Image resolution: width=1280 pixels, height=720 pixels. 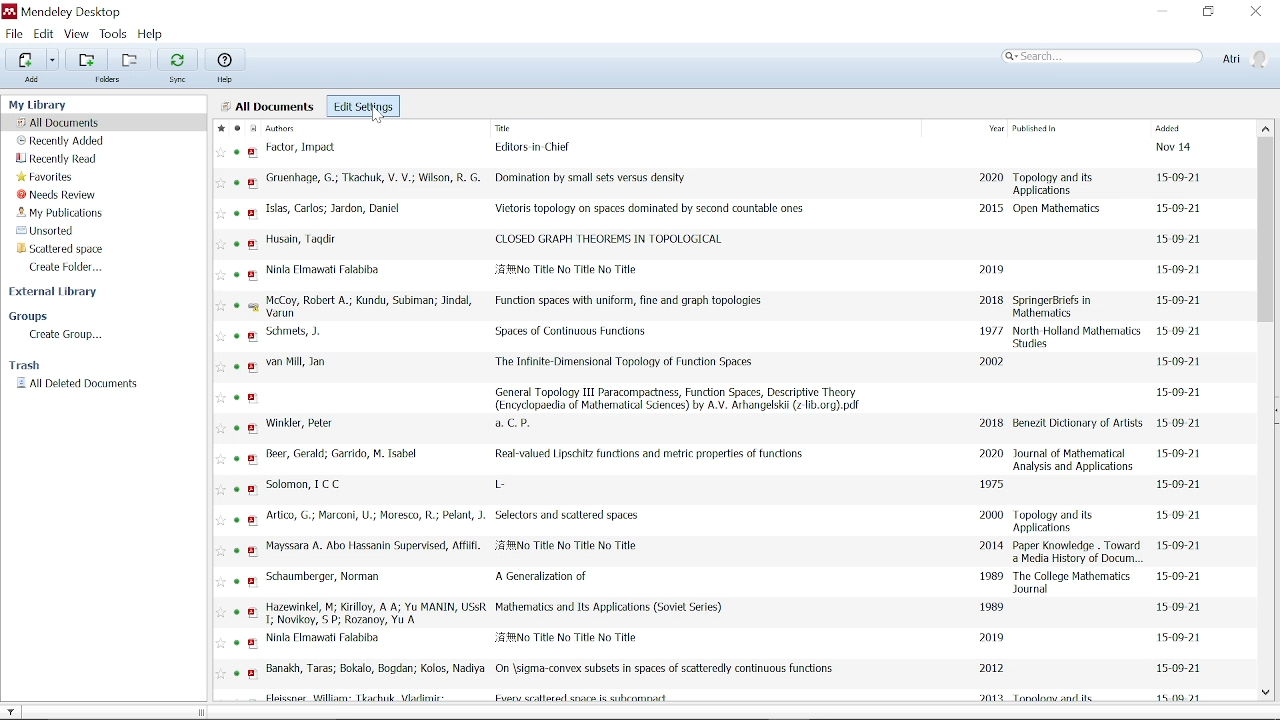 What do you see at coordinates (996, 128) in the screenshot?
I see `Year` at bounding box center [996, 128].